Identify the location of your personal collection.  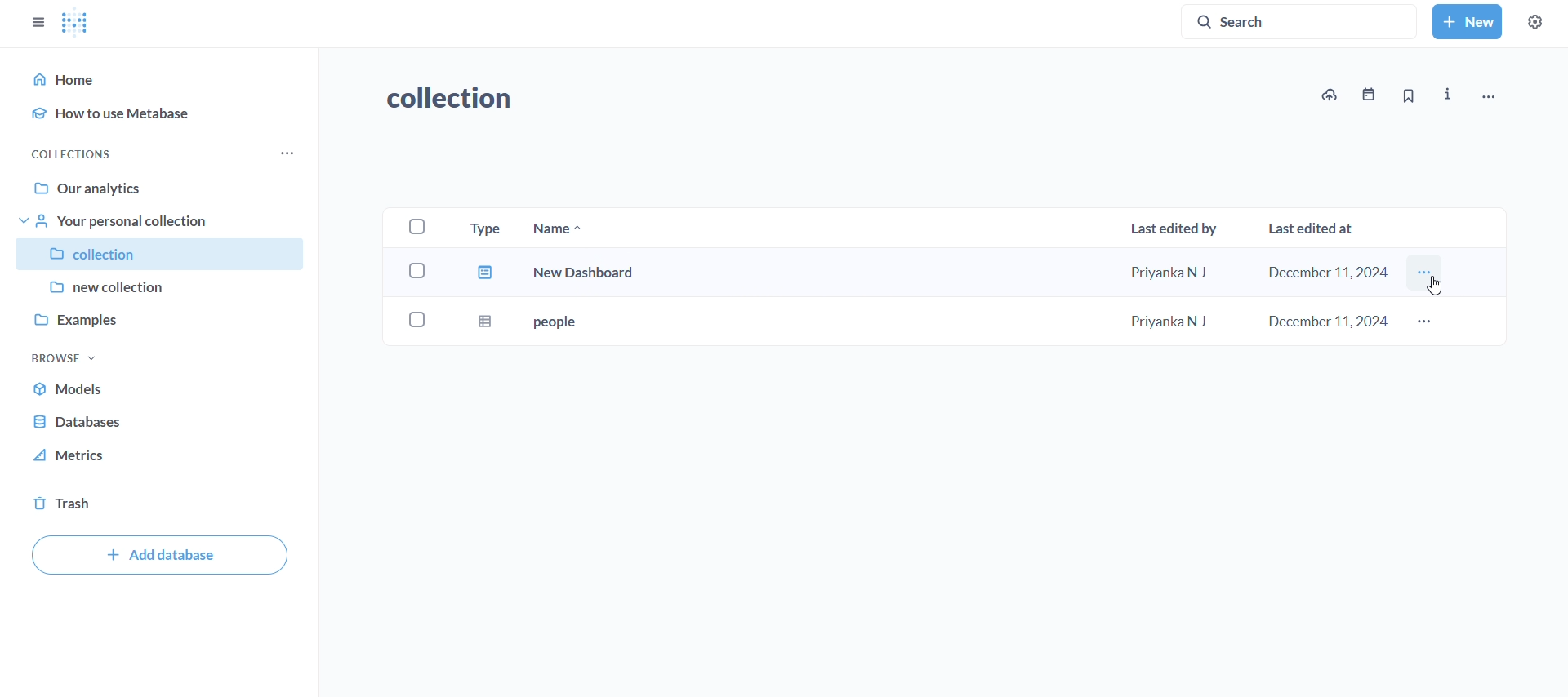
(164, 221).